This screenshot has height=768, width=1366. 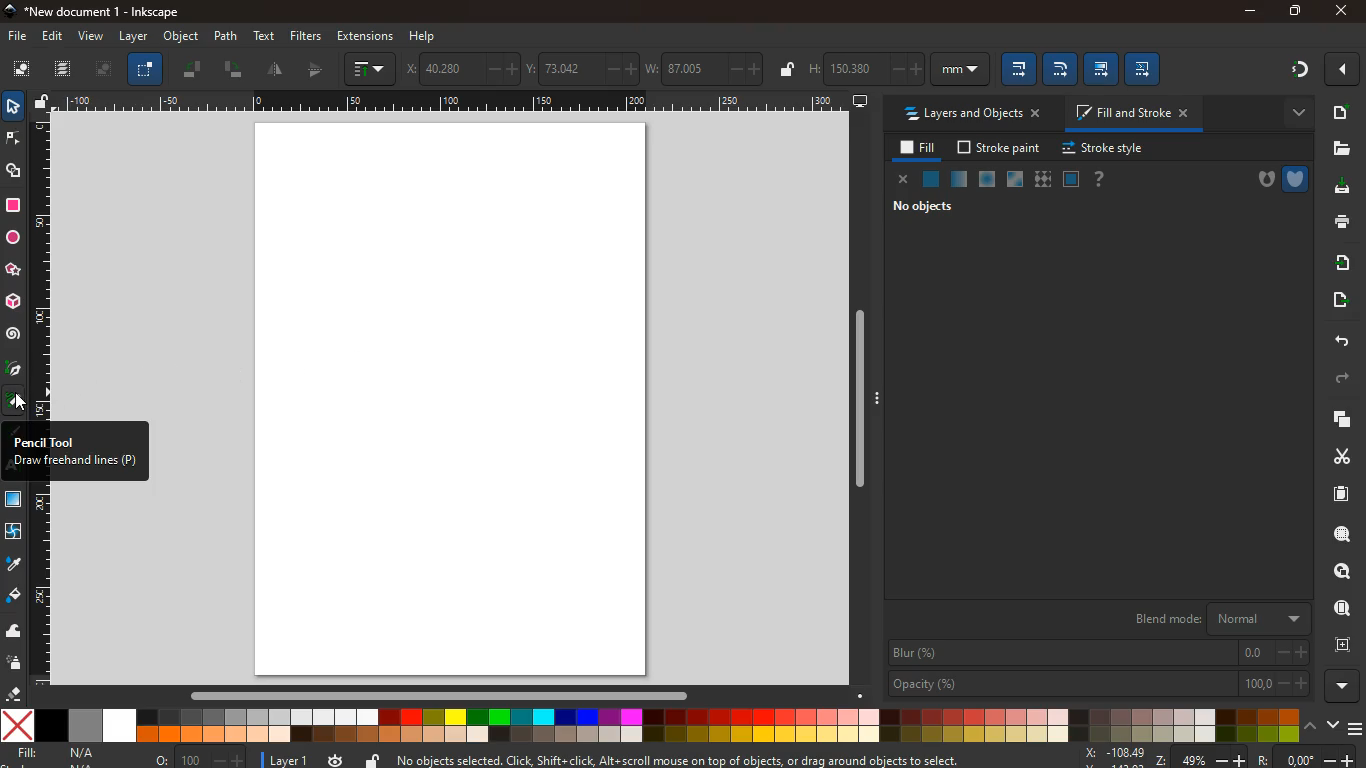 I want to click on horizontal slider, so click(x=443, y=694).